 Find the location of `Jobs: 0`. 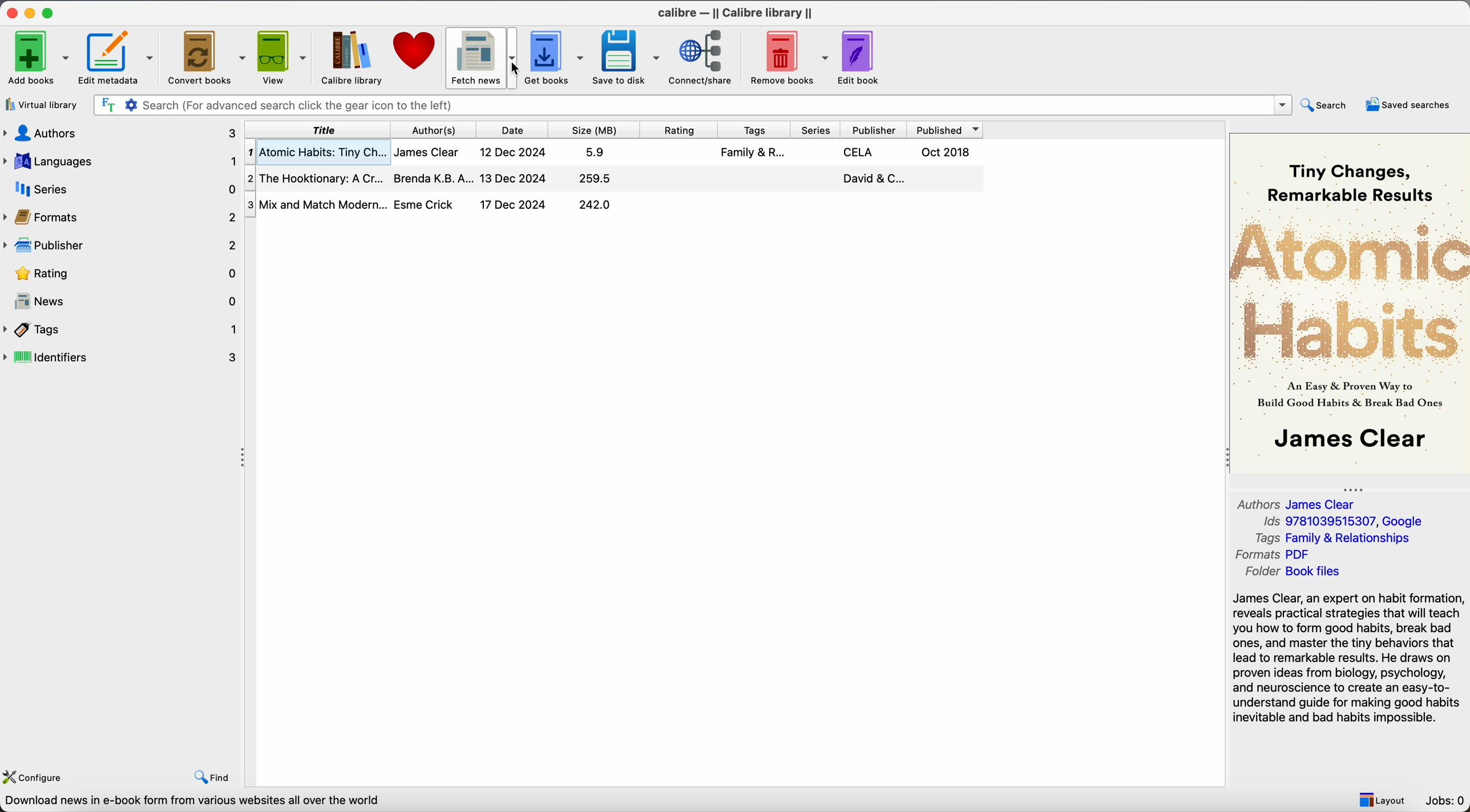

Jobs: 0 is located at coordinates (1446, 801).